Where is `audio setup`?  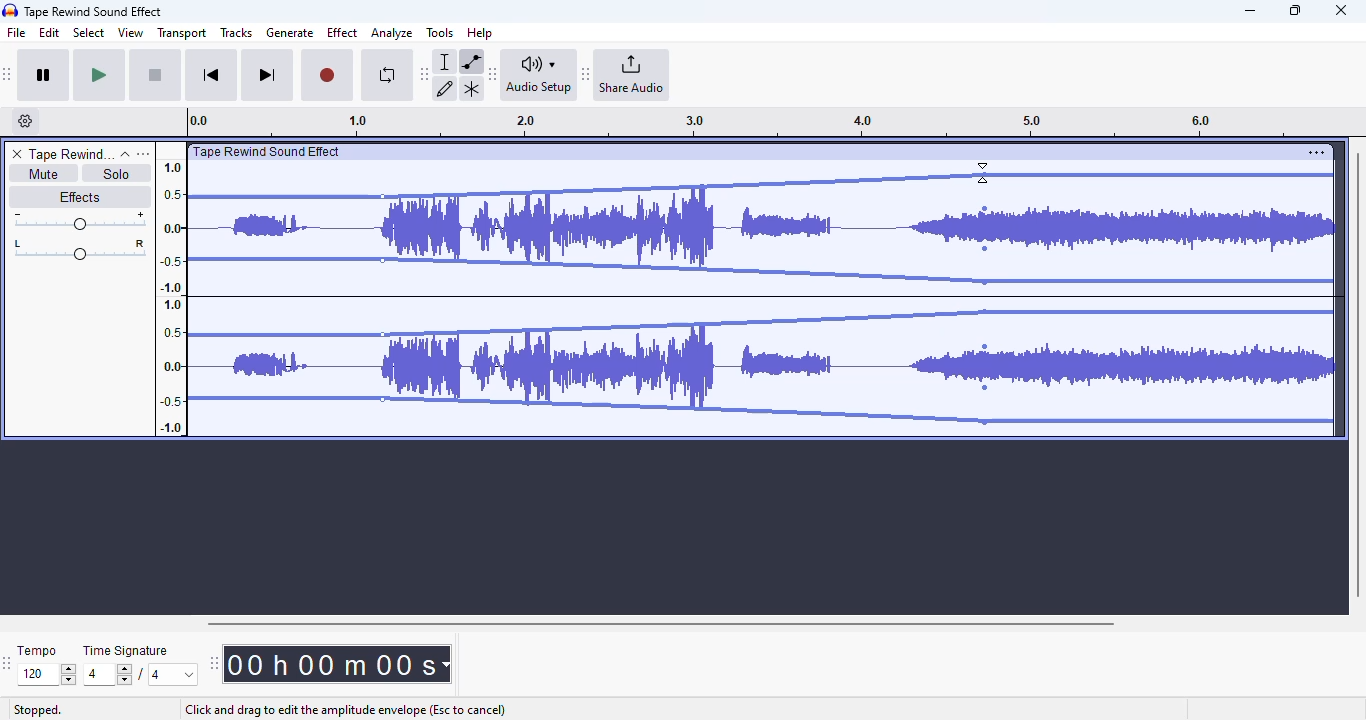
audio setup is located at coordinates (539, 74).